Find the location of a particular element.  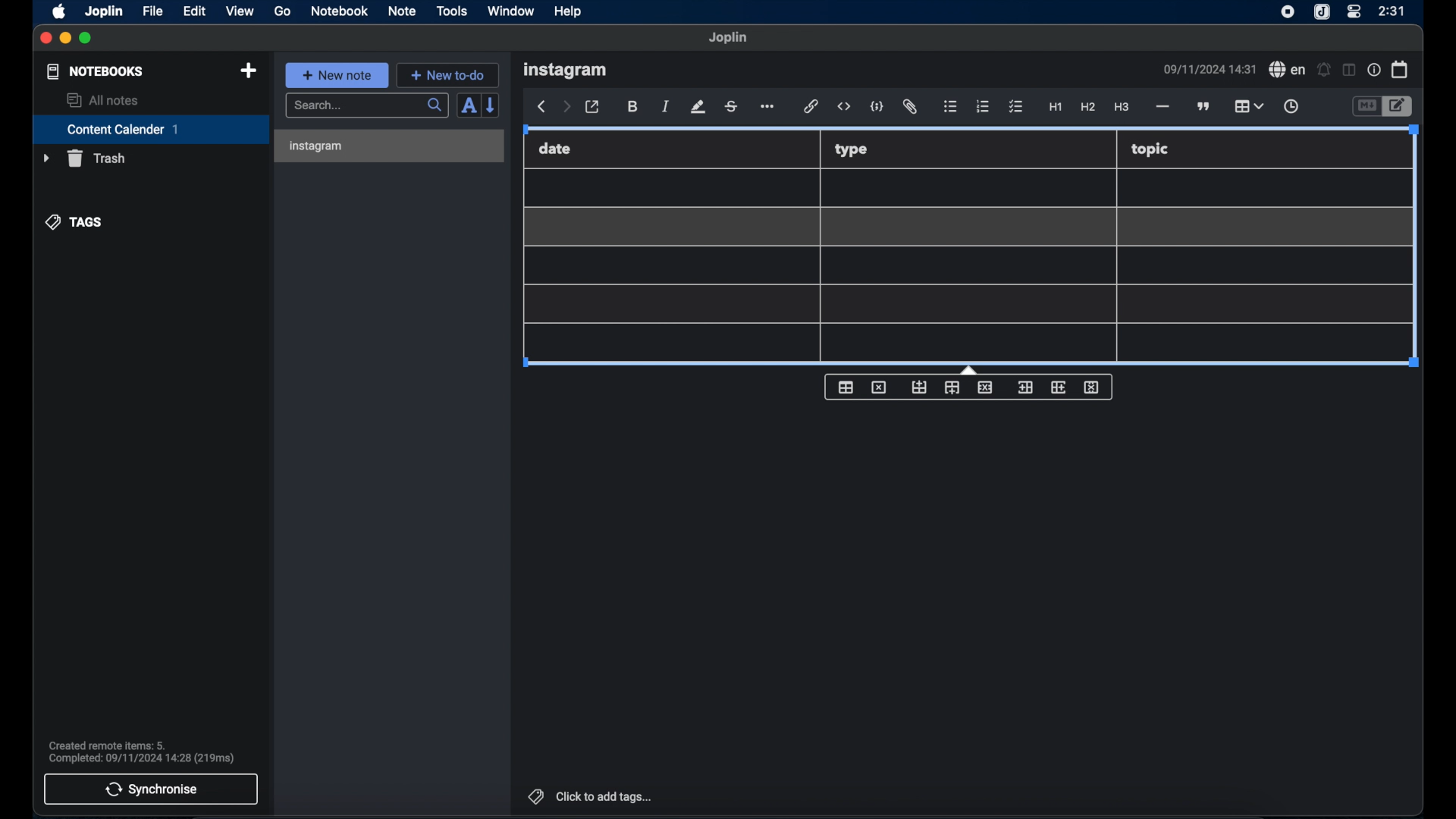

help is located at coordinates (570, 12).